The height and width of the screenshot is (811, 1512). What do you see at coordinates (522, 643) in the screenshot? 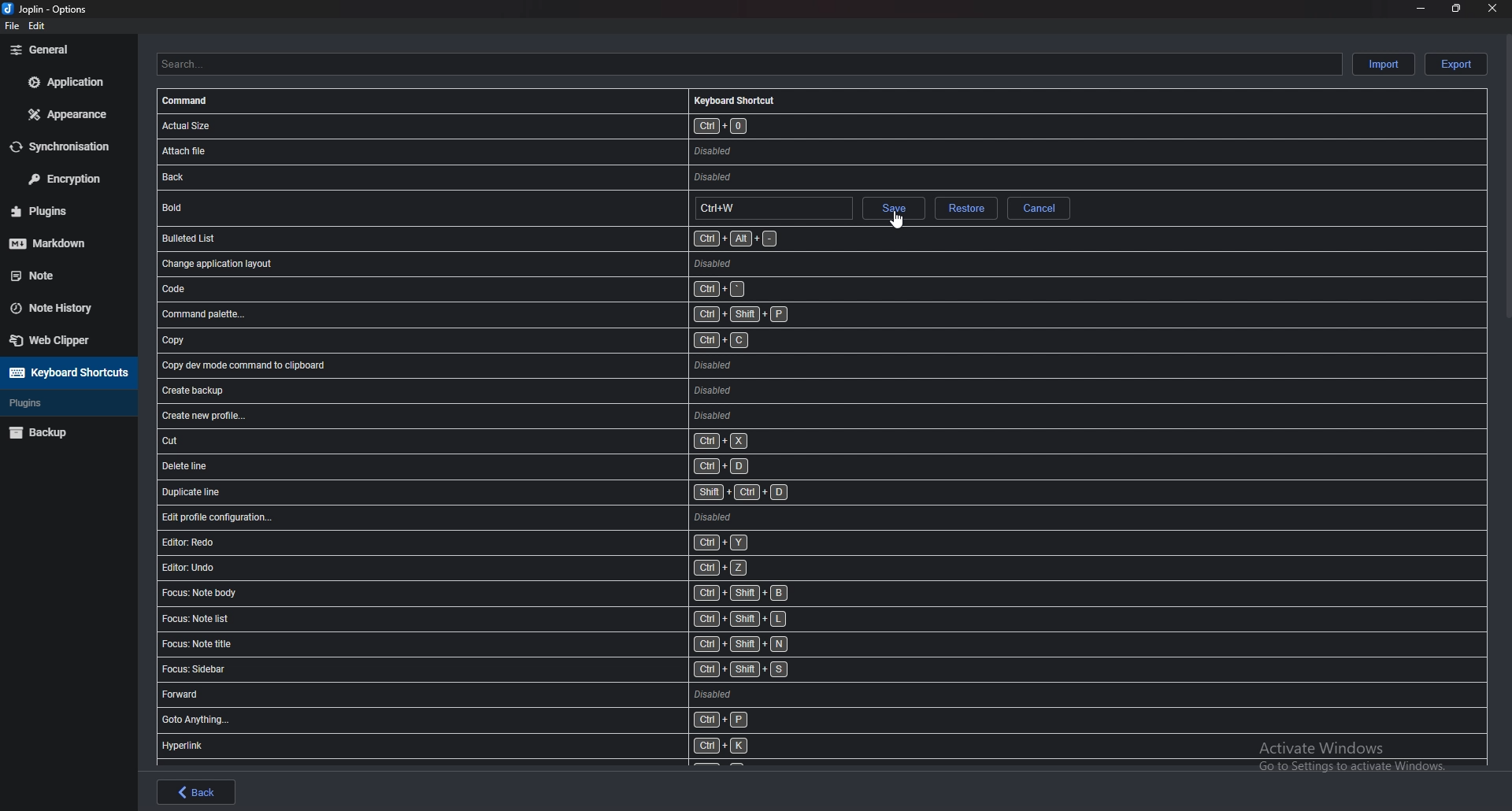
I see `shortcut` at bounding box center [522, 643].